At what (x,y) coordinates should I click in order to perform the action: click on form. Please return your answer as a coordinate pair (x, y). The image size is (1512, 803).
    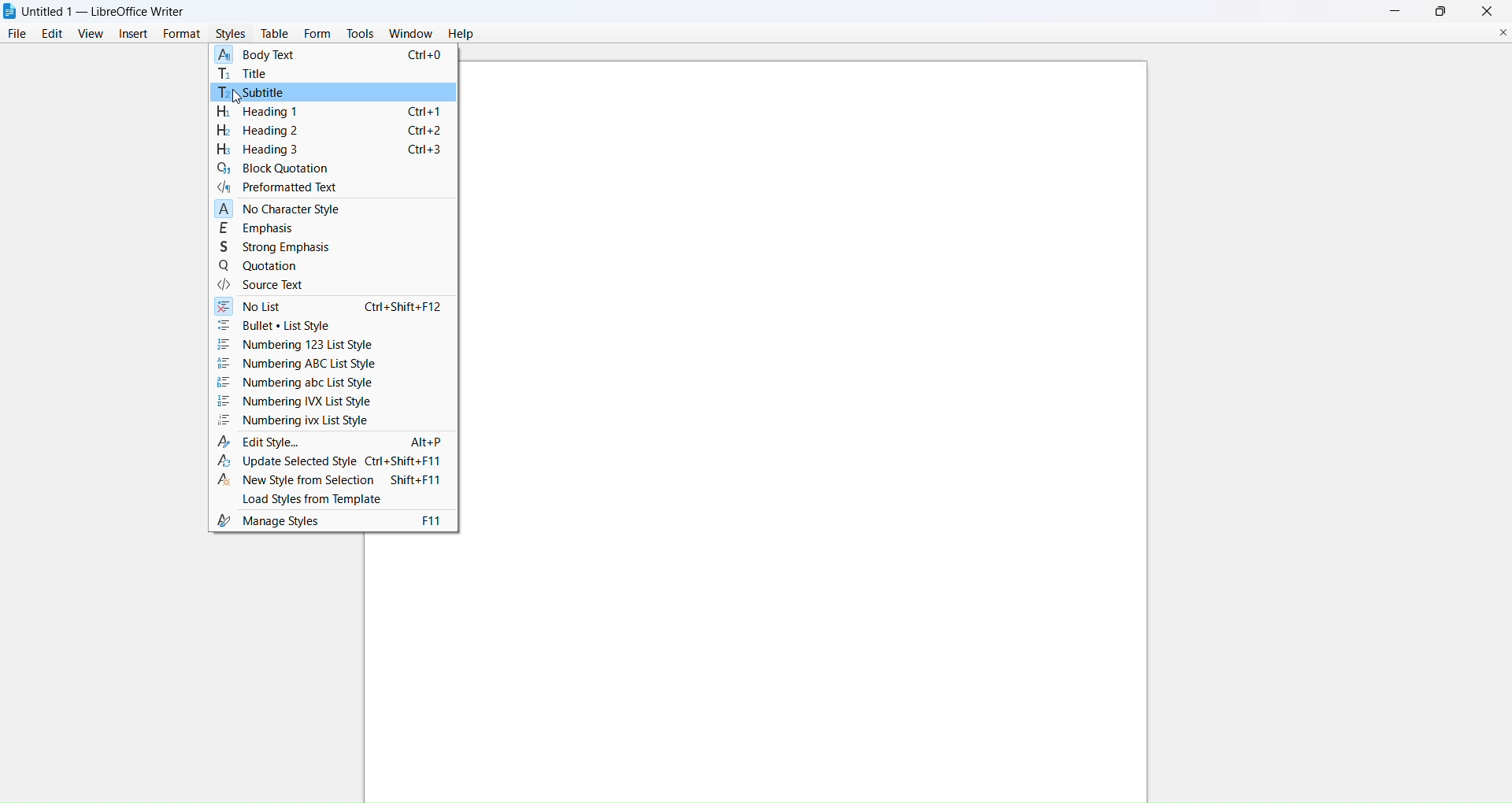
    Looking at the image, I should click on (319, 33).